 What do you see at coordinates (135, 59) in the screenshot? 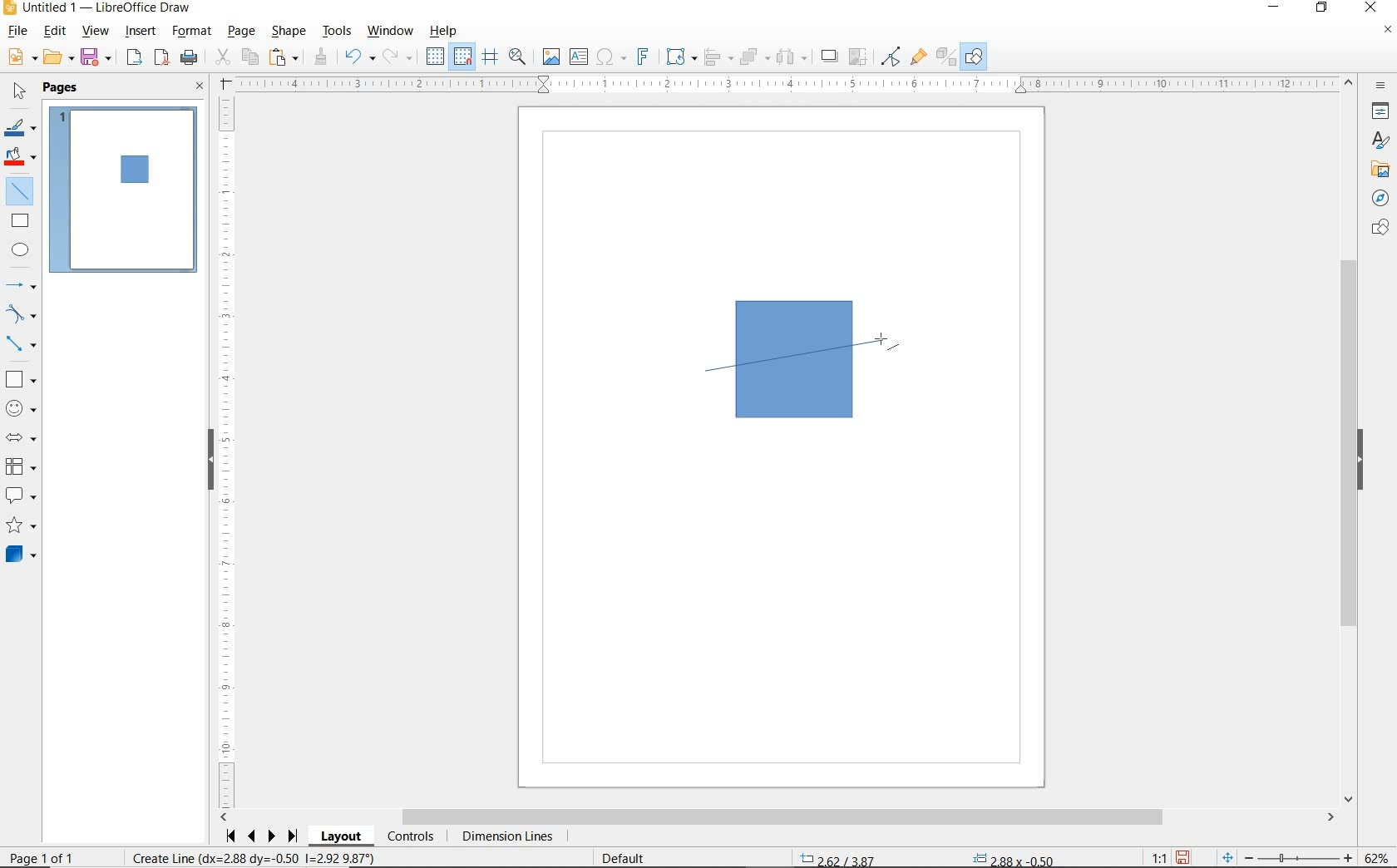
I see `EXPORT` at bounding box center [135, 59].